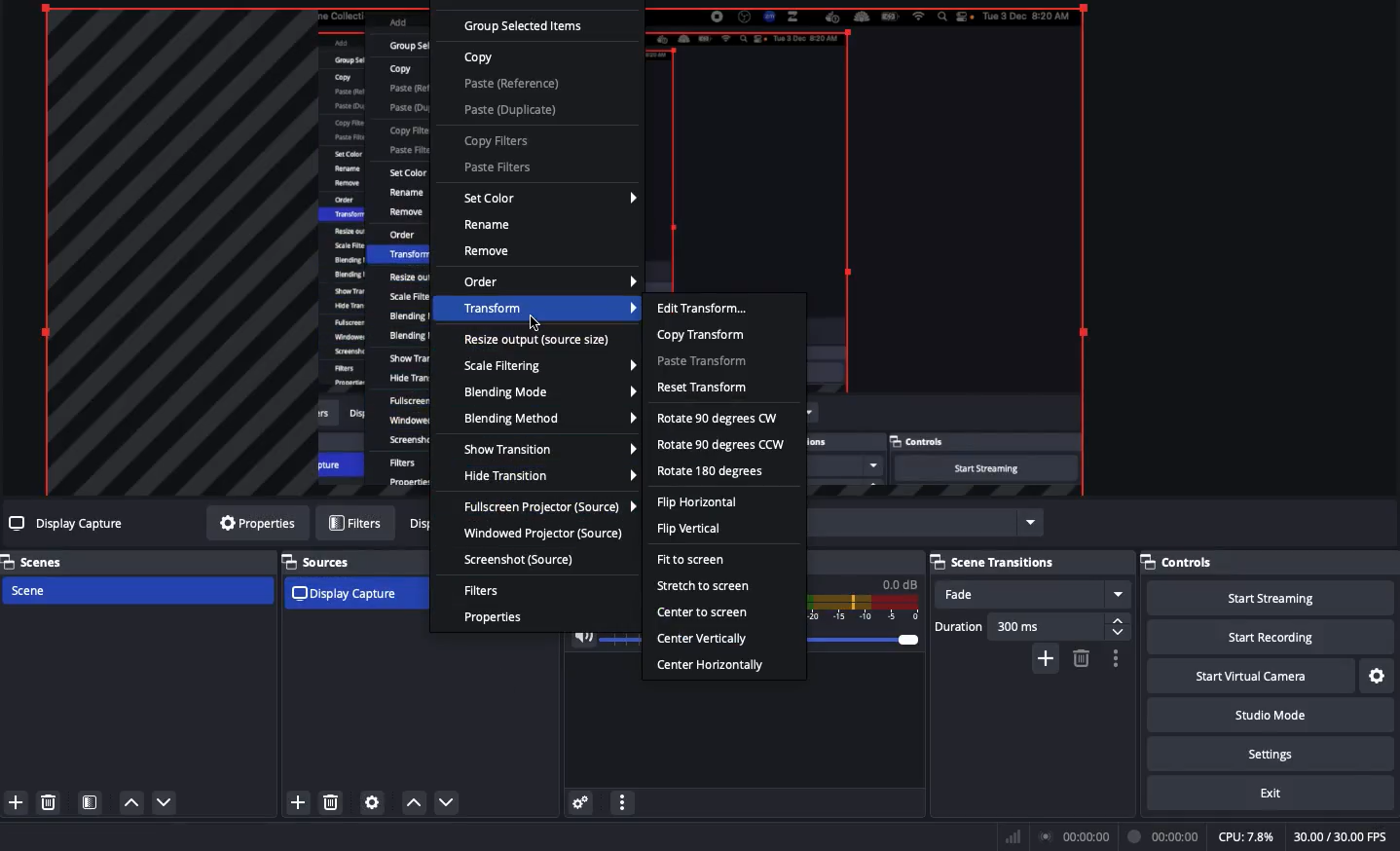  I want to click on Studio mode, so click(1273, 716).